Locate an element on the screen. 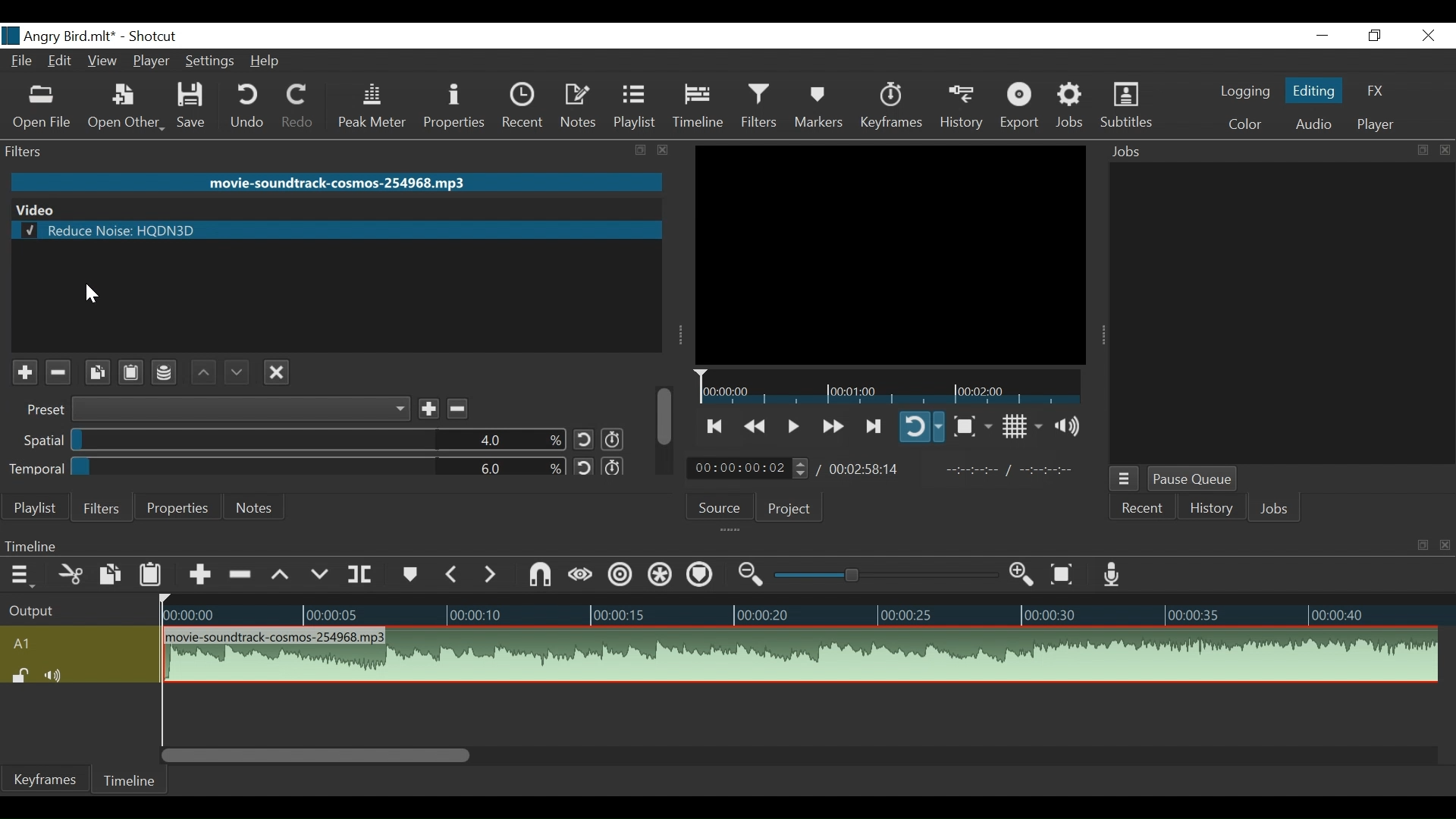 The image size is (1456, 819). Temporal is located at coordinates (34, 469).